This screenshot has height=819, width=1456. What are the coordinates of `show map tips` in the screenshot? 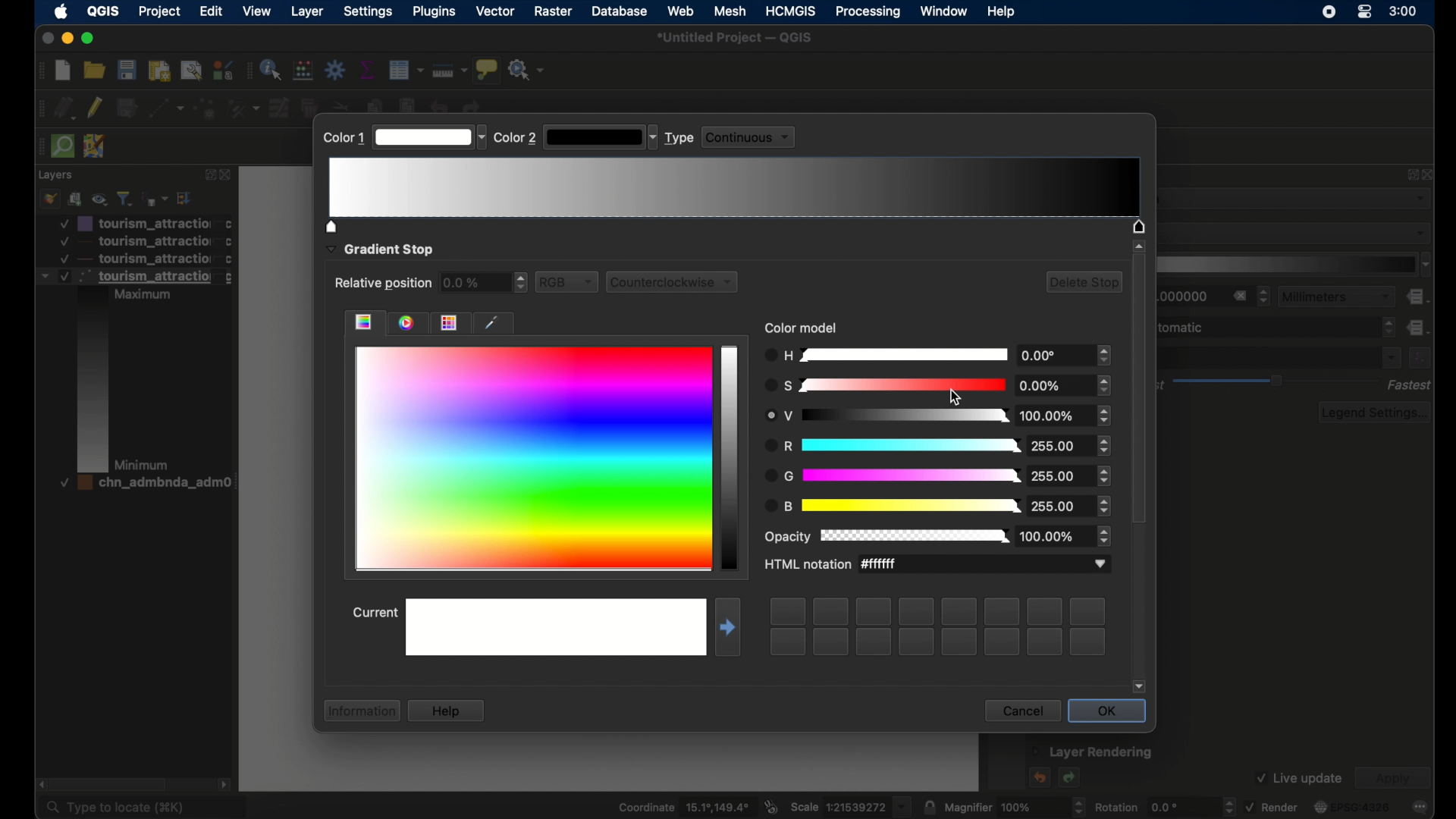 It's located at (487, 71).